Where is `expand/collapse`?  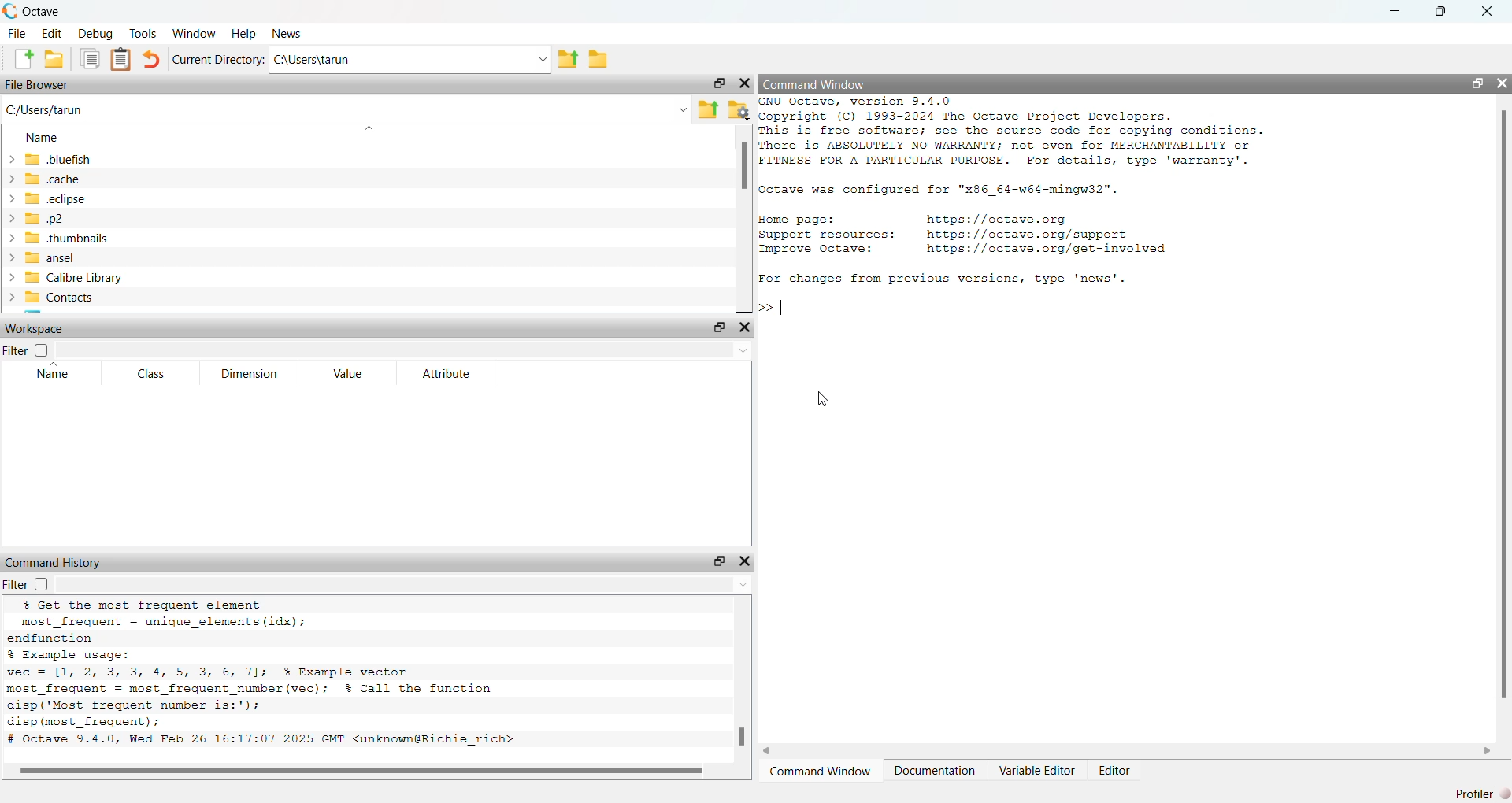 expand/collapse is located at coordinates (9, 257).